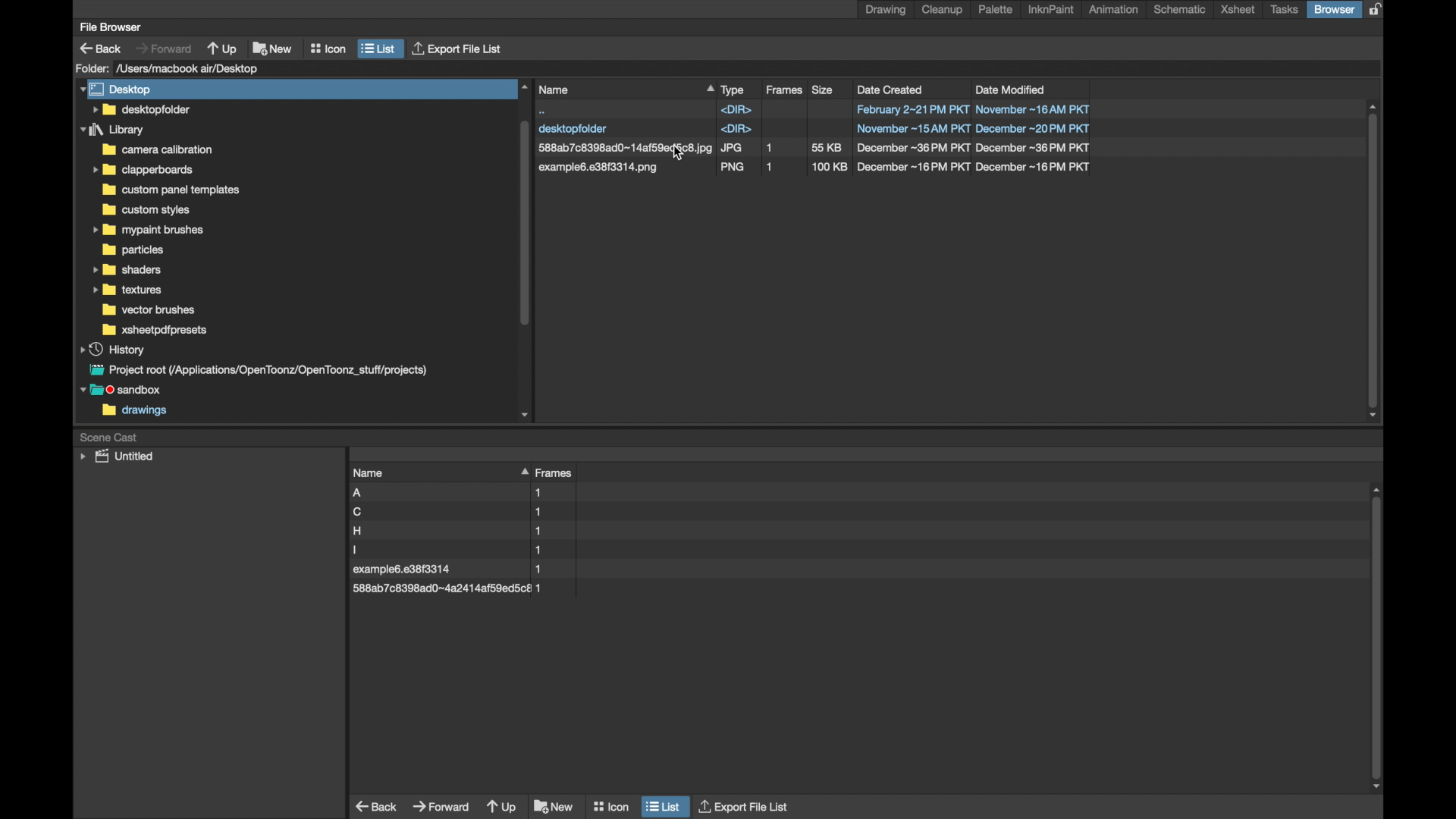 The height and width of the screenshot is (819, 1456). I want to click on folder, so click(146, 210).